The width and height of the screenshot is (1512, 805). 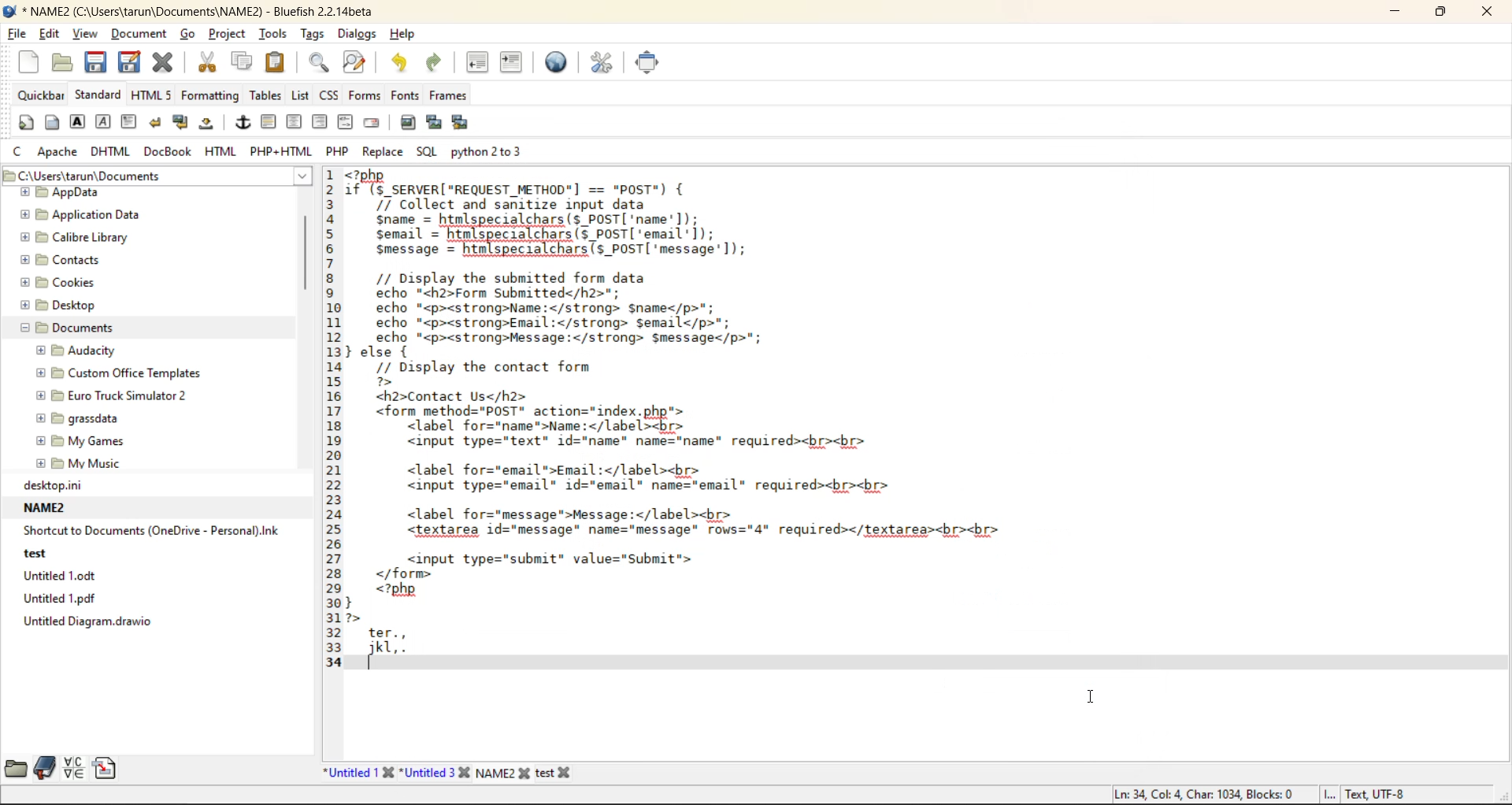 What do you see at coordinates (1488, 14) in the screenshot?
I see `close` at bounding box center [1488, 14].